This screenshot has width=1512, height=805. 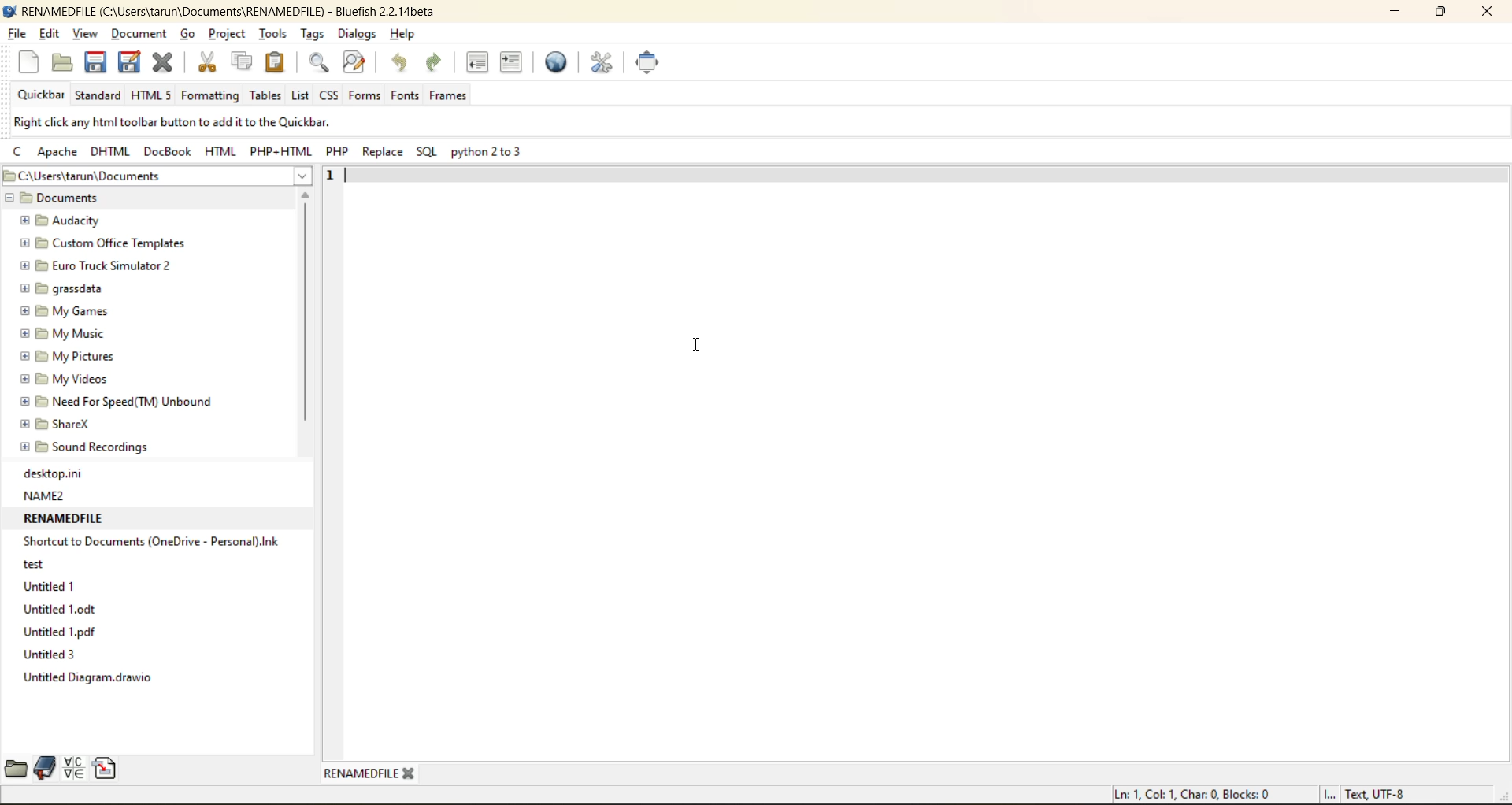 What do you see at coordinates (136, 35) in the screenshot?
I see `document` at bounding box center [136, 35].